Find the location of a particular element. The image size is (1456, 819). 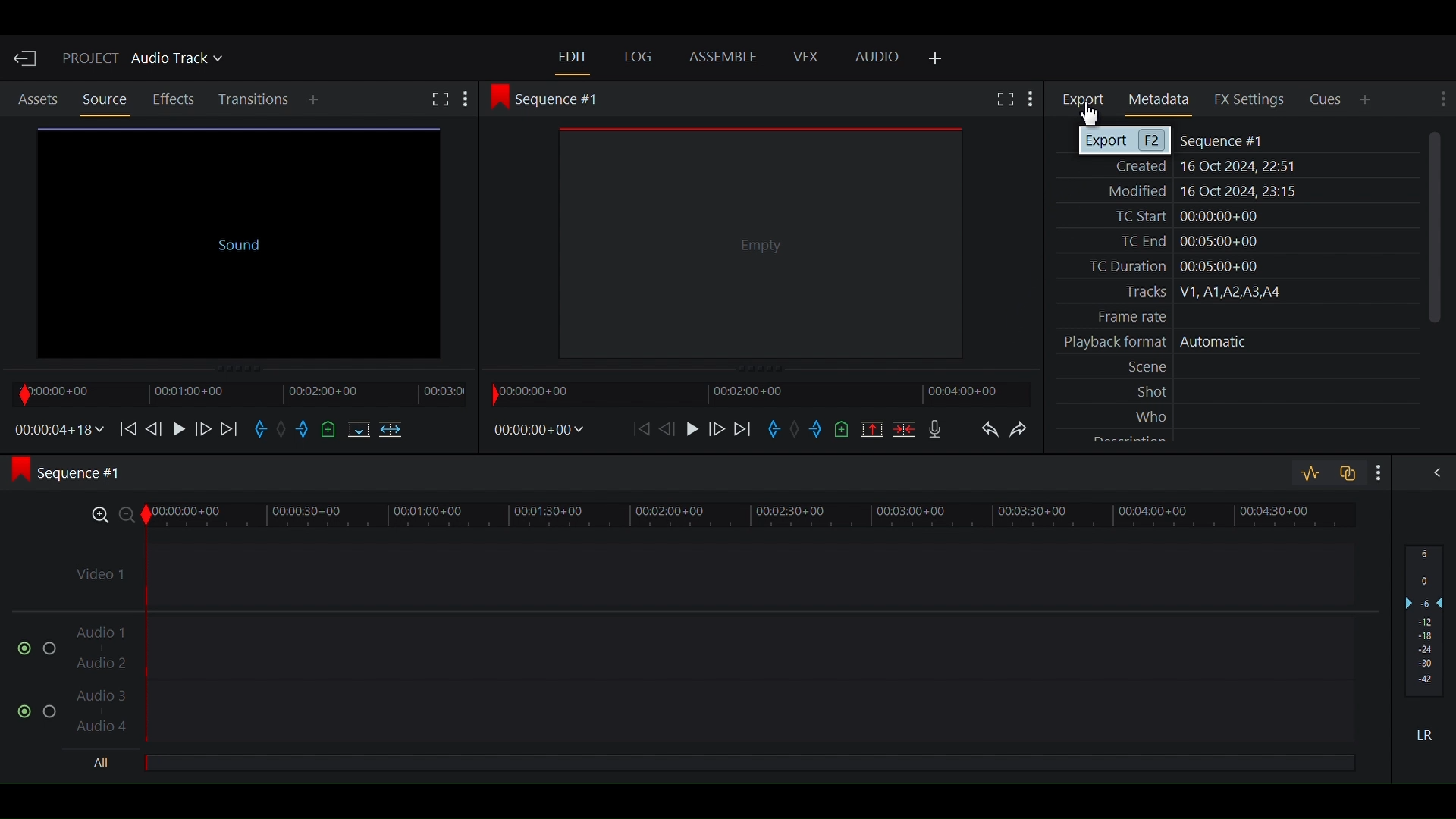

Add Panel is located at coordinates (1367, 99).